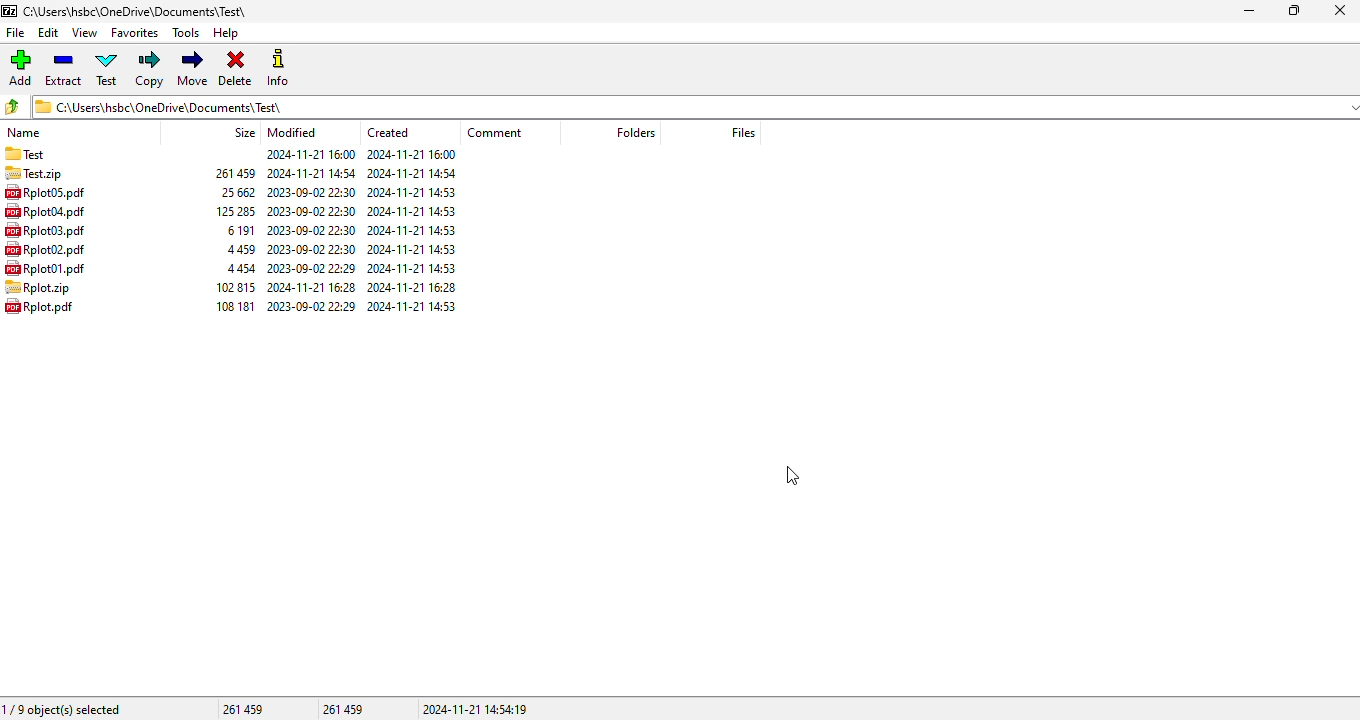 The height and width of the screenshot is (720, 1360). What do you see at coordinates (44, 211) in the screenshot?
I see `file name` at bounding box center [44, 211].